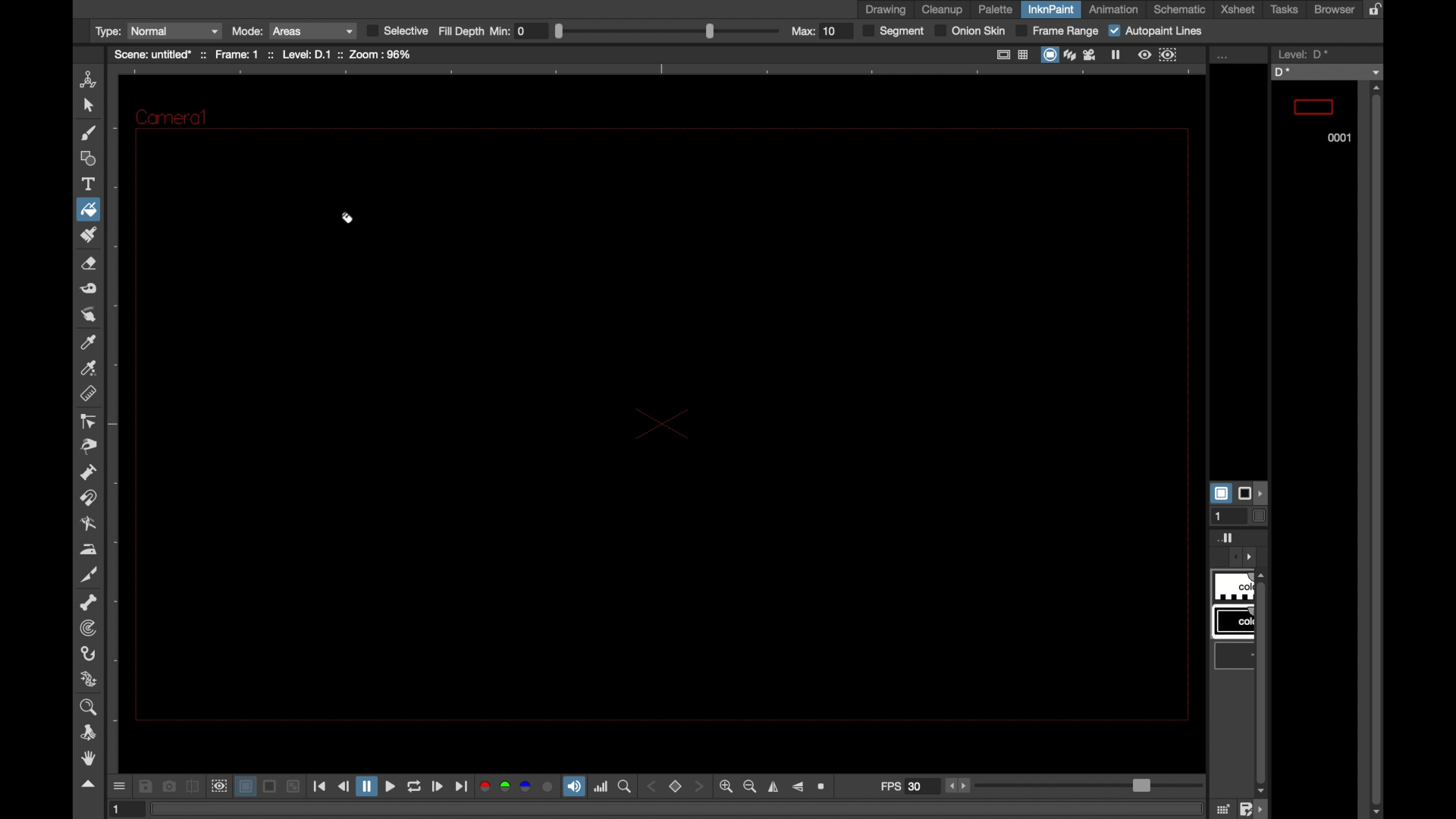 This screenshot has width=1456, height=819. What do you see at coordinates (1112, 9) in the screenshot?
I see `animation` at bounding box center [1112, 9].